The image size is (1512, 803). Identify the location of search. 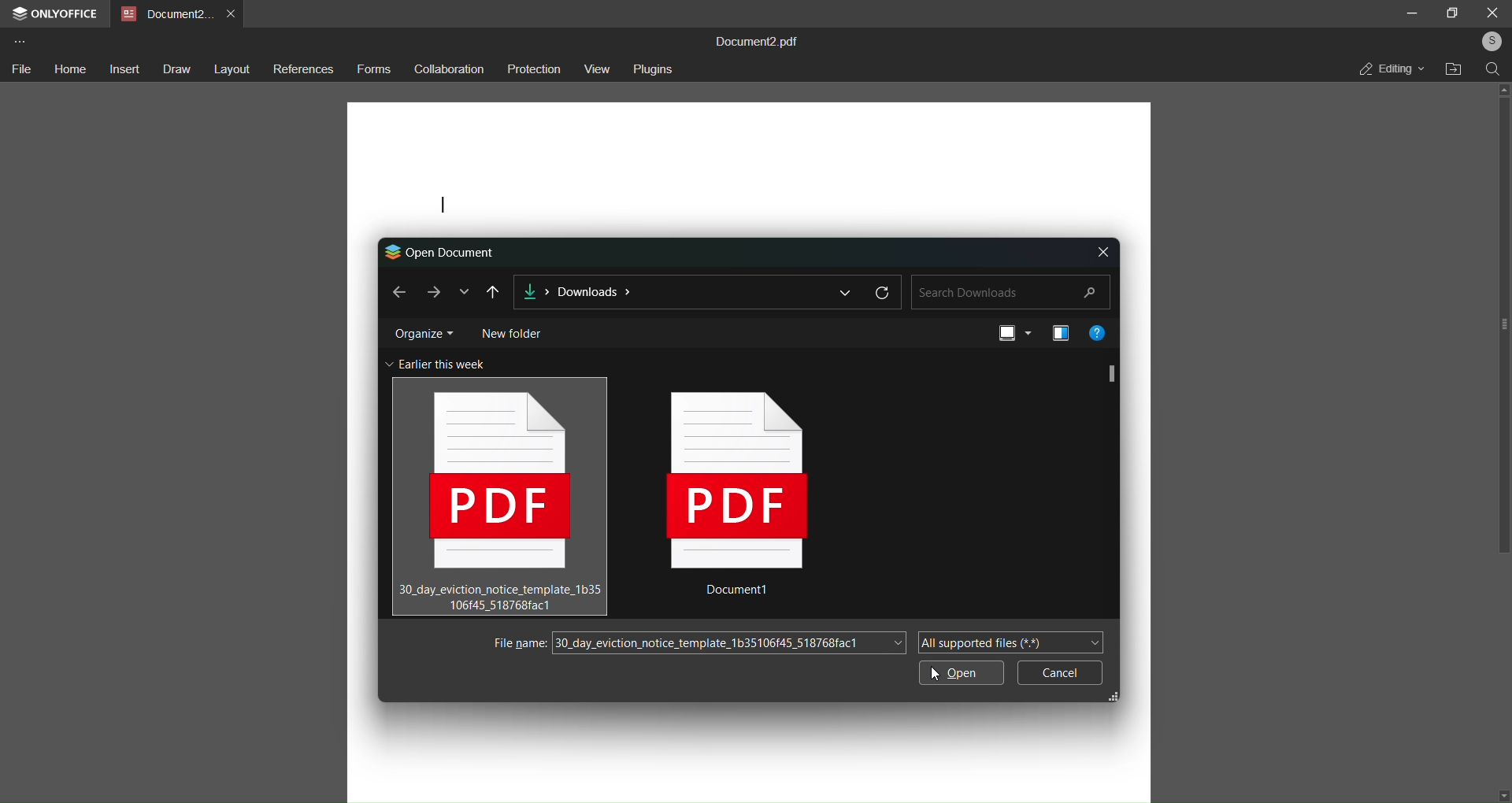
(1493, 68).